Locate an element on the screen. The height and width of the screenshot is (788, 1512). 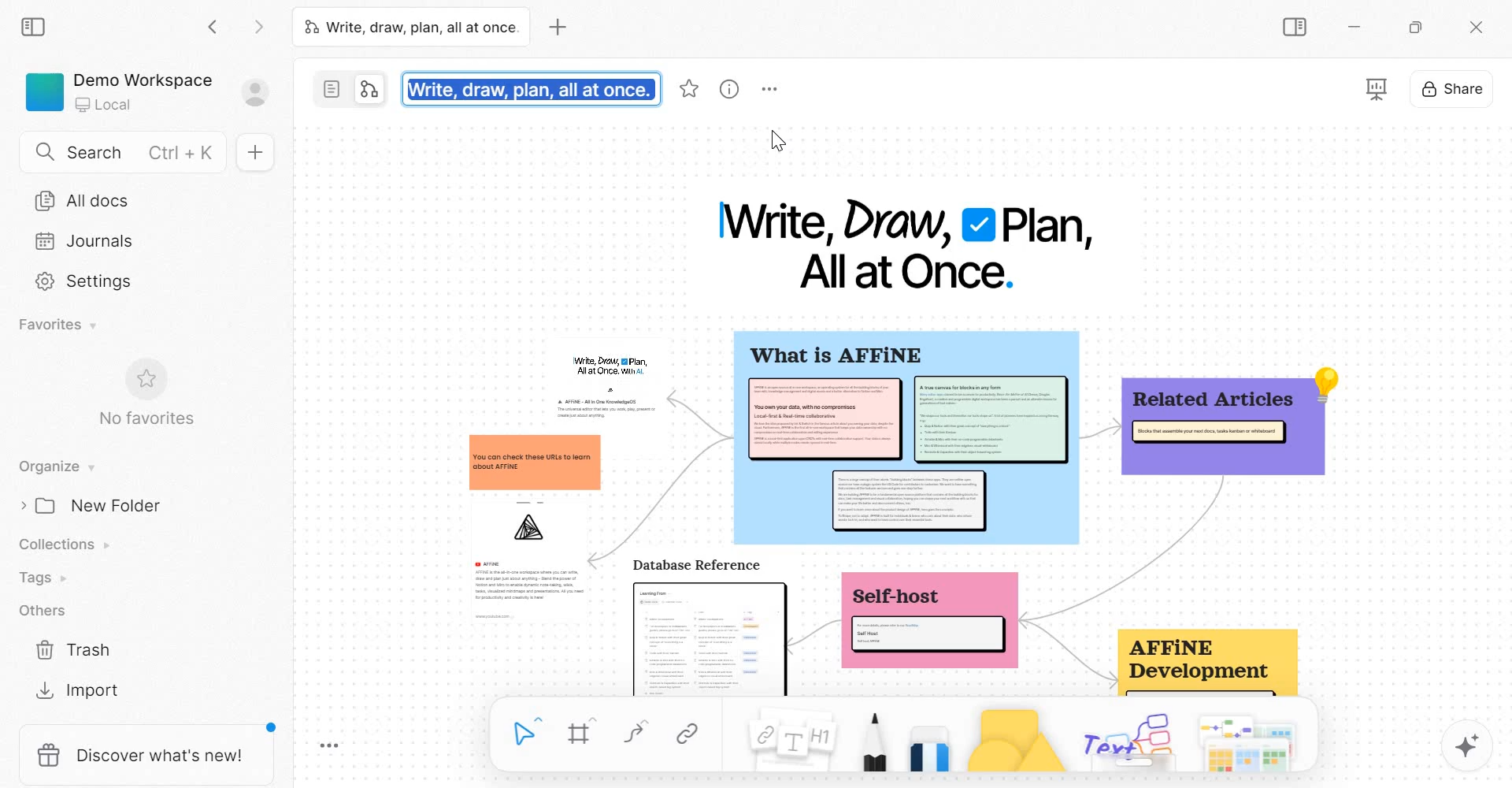
cursor is located at coordinates (779, 143).